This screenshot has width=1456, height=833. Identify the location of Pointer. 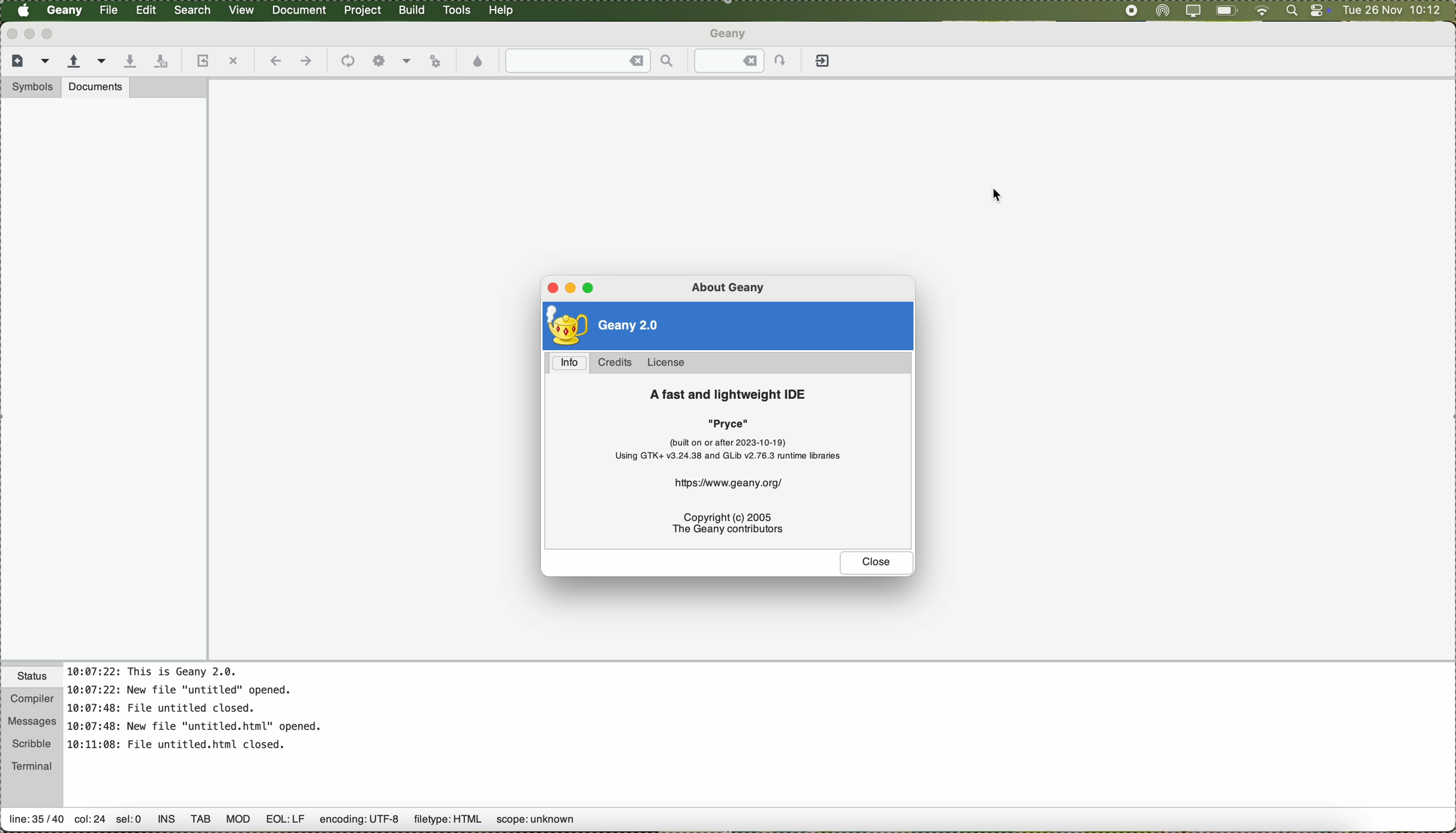
(996, 193).